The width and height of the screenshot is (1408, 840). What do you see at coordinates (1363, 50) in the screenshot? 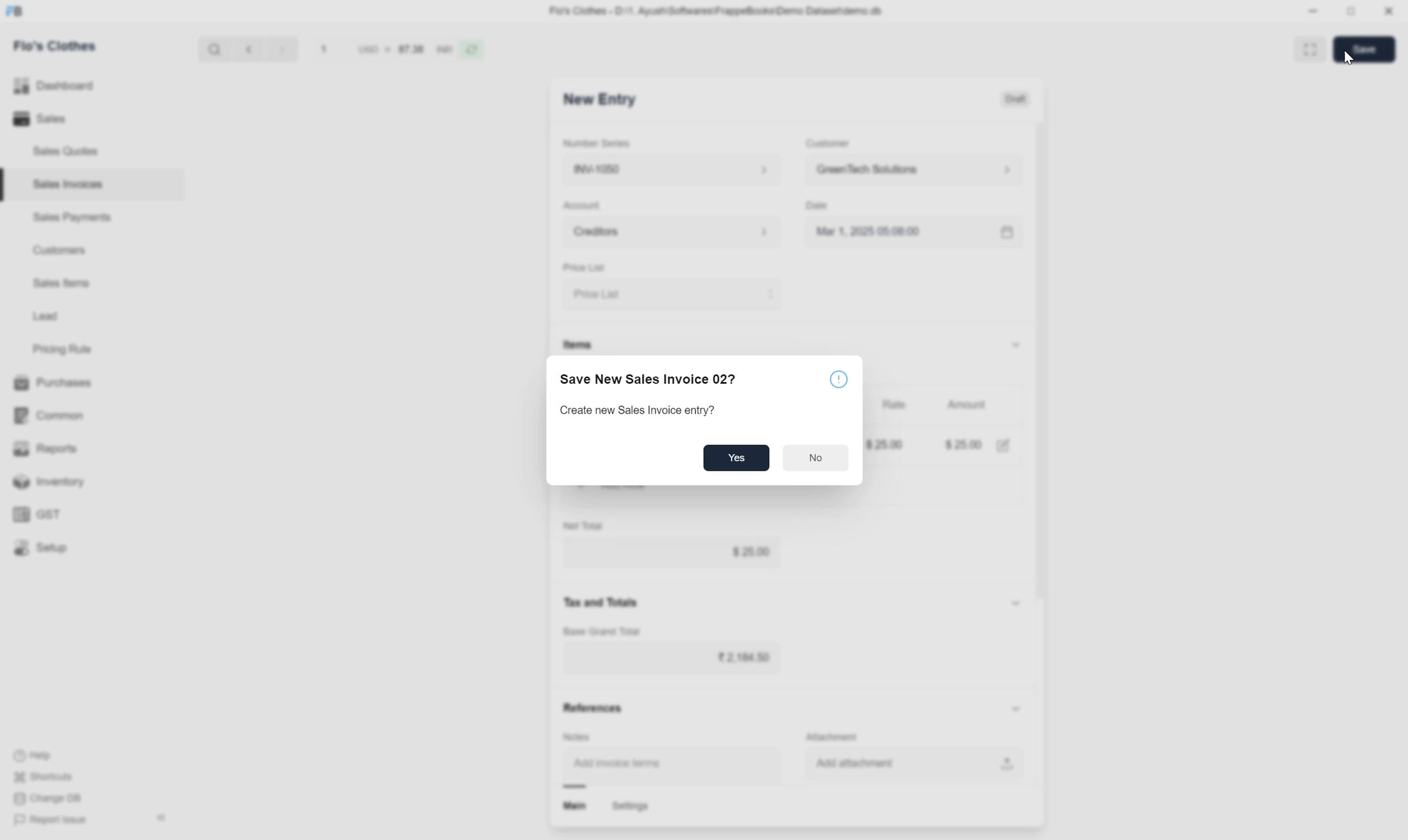
I see `save` at bounding box center [1363, 50].